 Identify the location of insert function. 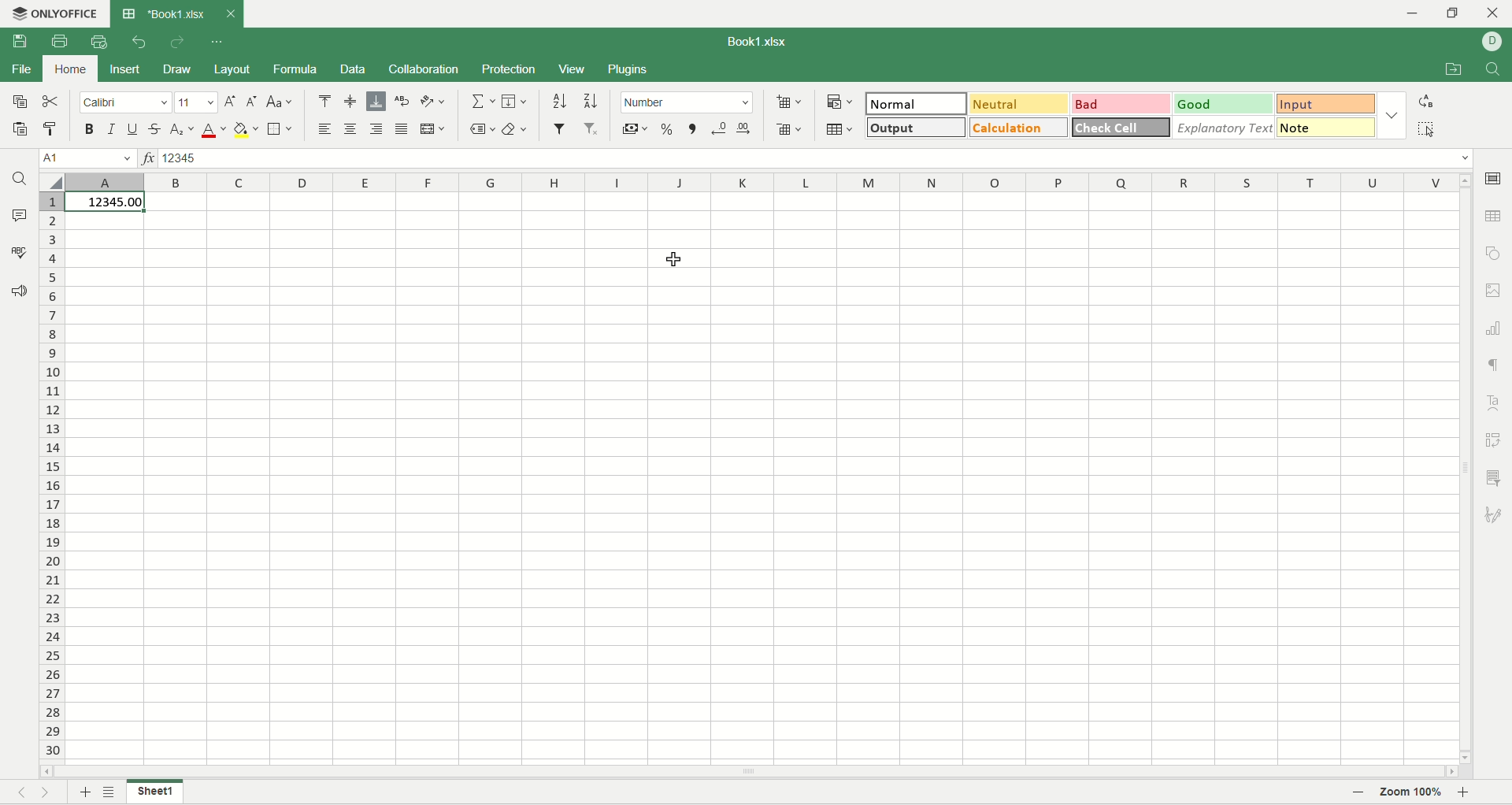
(146, 158).